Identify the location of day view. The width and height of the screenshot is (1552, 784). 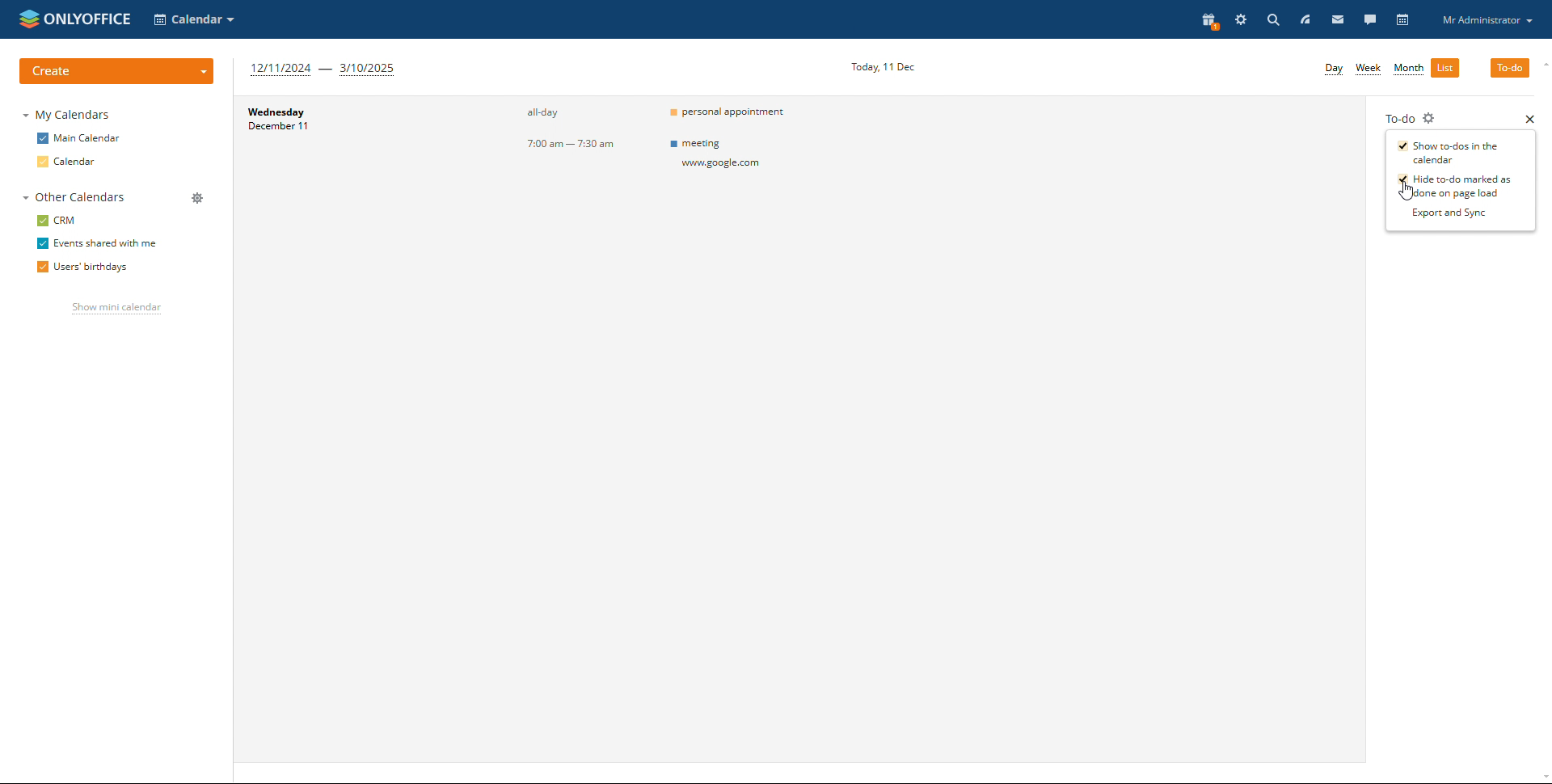
(1334, 70).